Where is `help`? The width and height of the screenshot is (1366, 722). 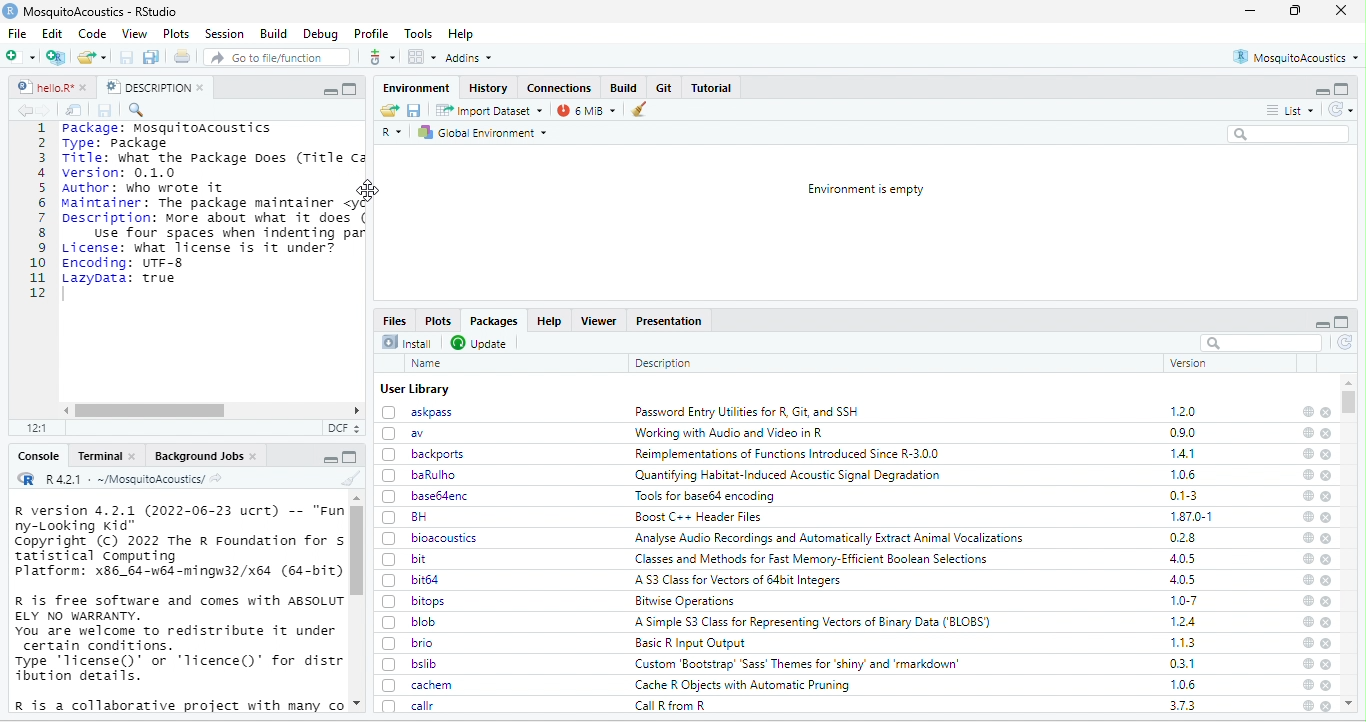
help is located at coordinates (1307, 474).